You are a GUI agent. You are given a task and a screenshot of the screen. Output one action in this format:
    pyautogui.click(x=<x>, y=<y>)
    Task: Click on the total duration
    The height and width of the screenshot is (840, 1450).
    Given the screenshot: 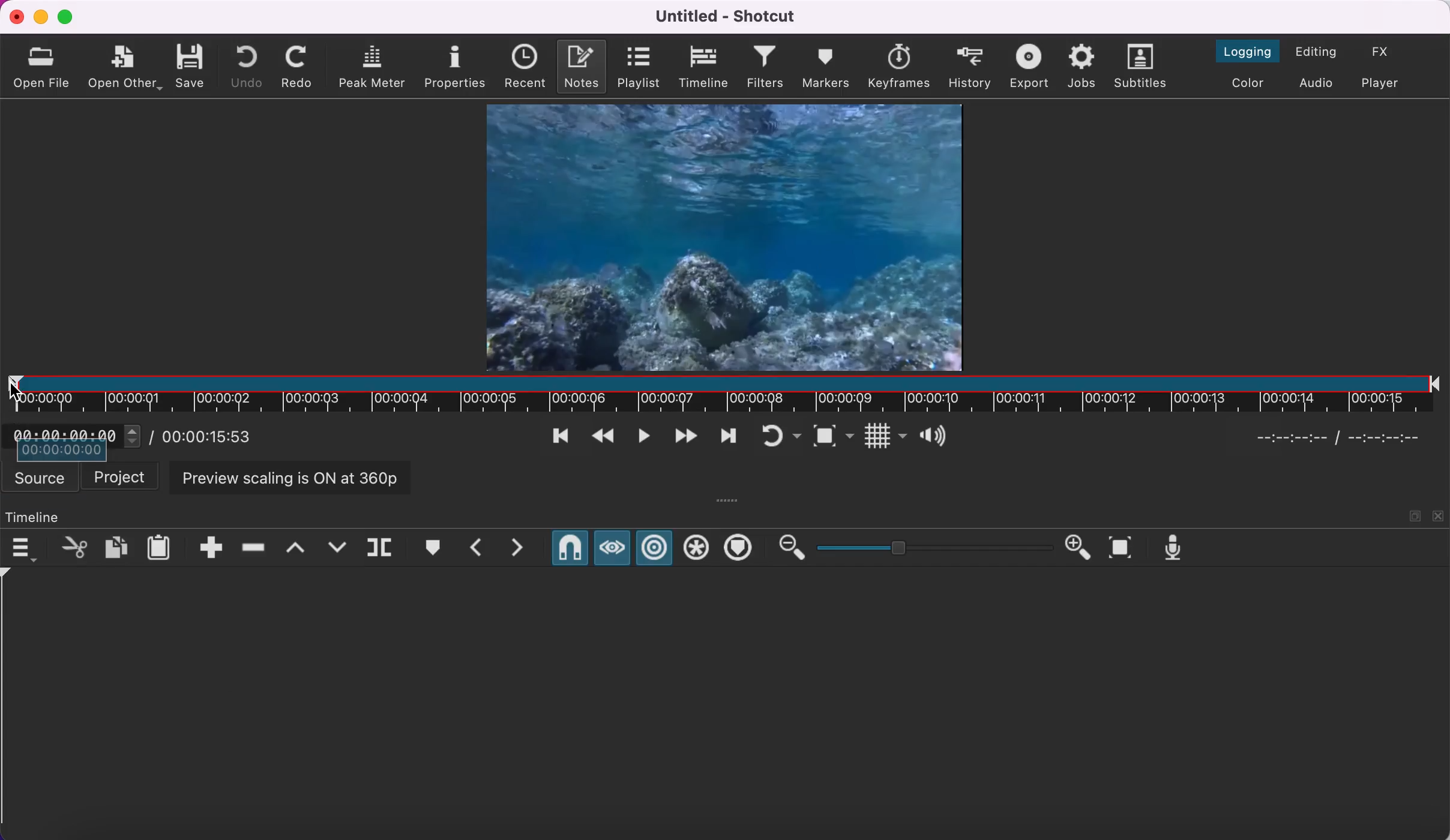 What is the action you would take?
    pyautogui.click(x=205, y=438)
    